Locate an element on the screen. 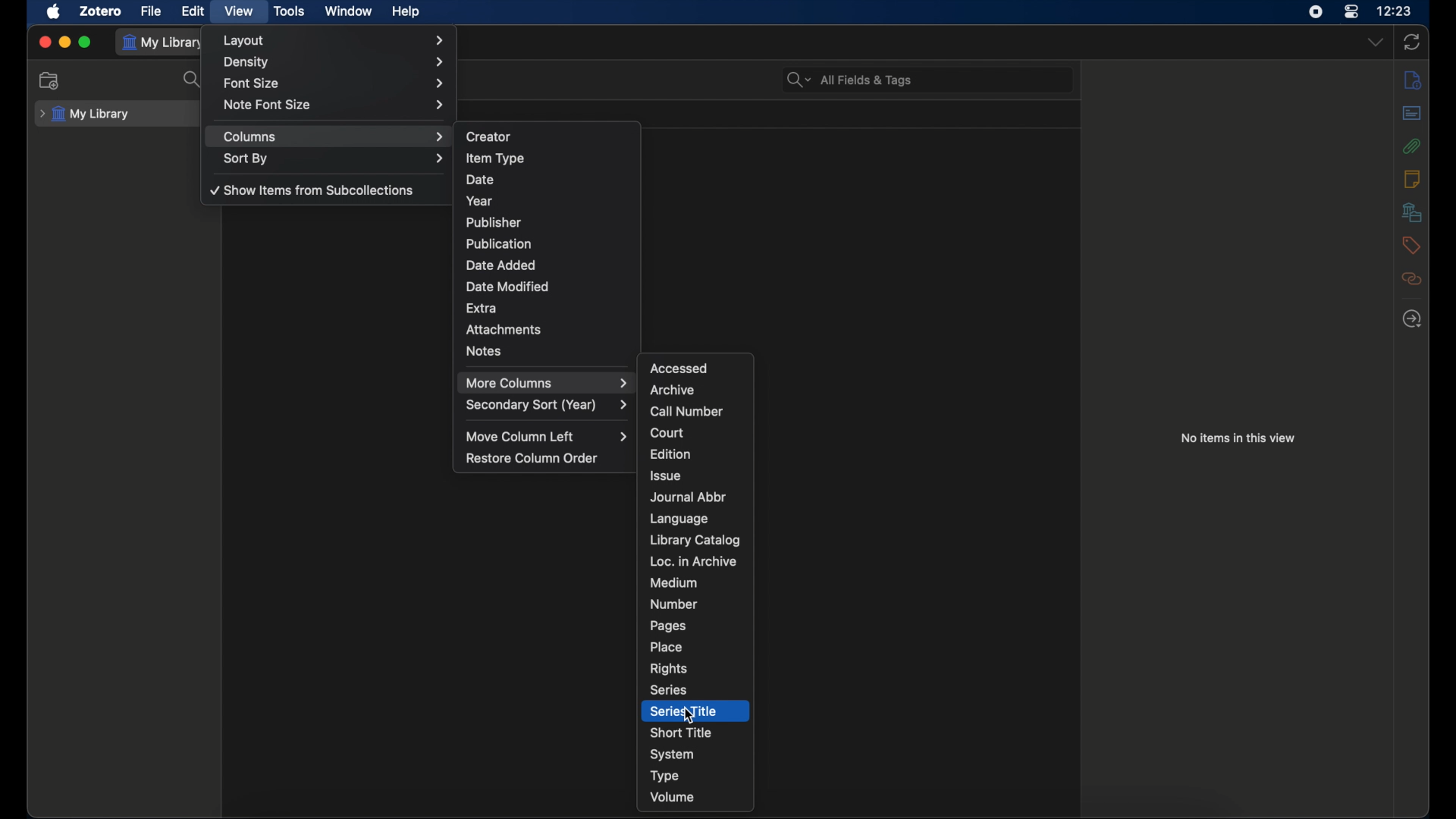 This screenshot has width=1456, height=819. accessed is located at coordinates (678, 368).